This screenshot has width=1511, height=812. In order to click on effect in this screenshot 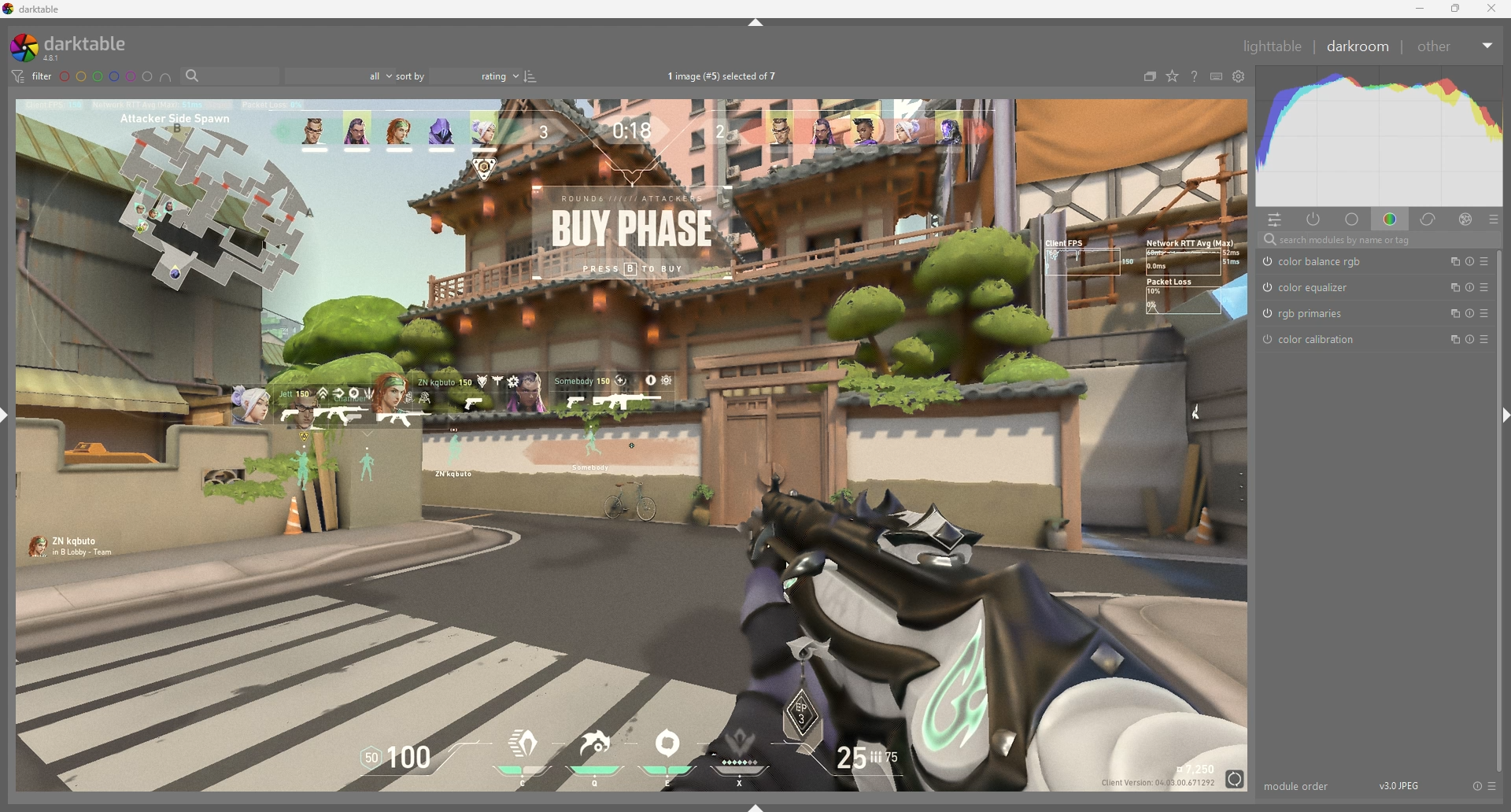, I will do `click(1467, 218)`.